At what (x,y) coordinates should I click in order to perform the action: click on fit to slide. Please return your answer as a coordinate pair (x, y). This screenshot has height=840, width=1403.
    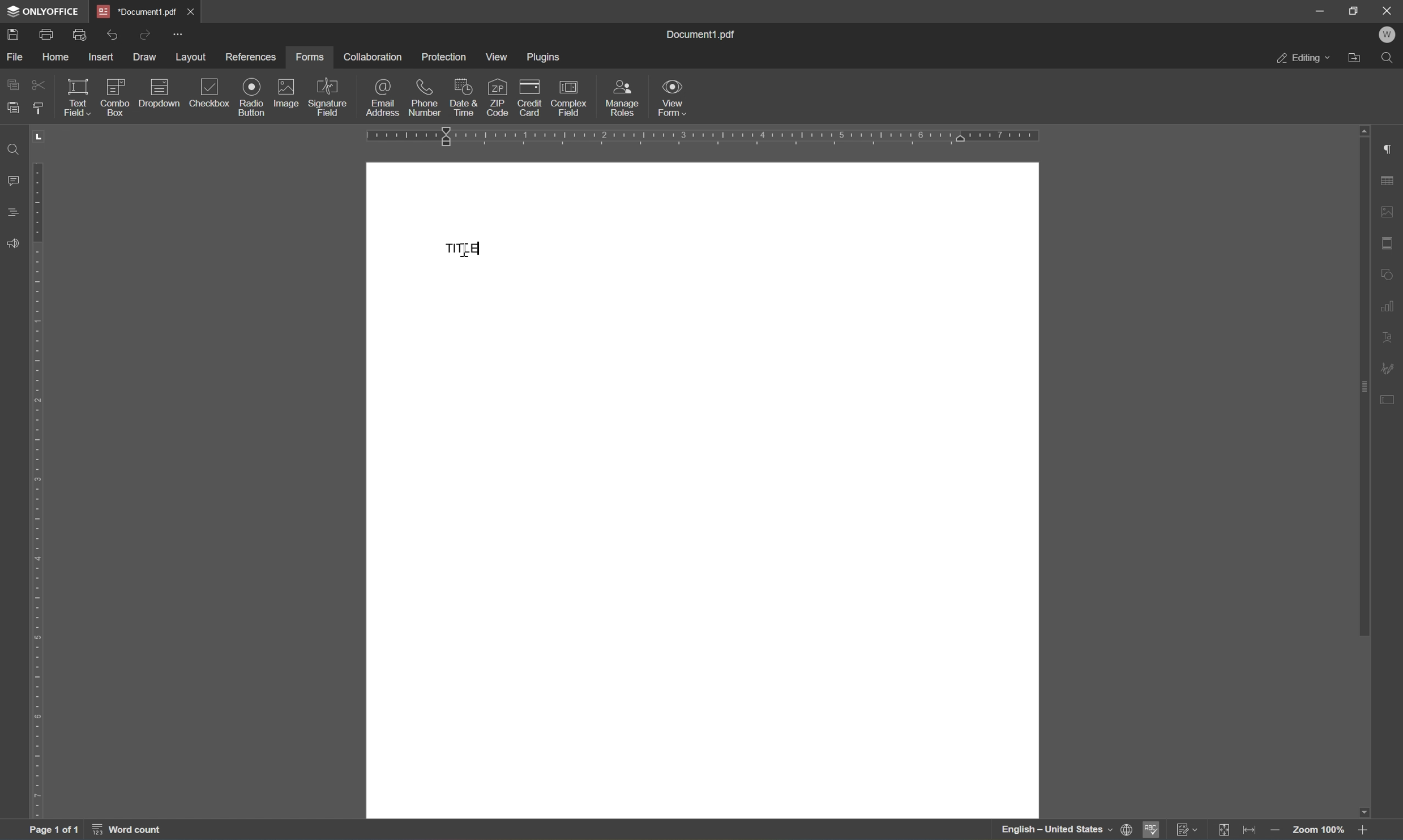
    Looking at the image, I should click on (1225, 831).